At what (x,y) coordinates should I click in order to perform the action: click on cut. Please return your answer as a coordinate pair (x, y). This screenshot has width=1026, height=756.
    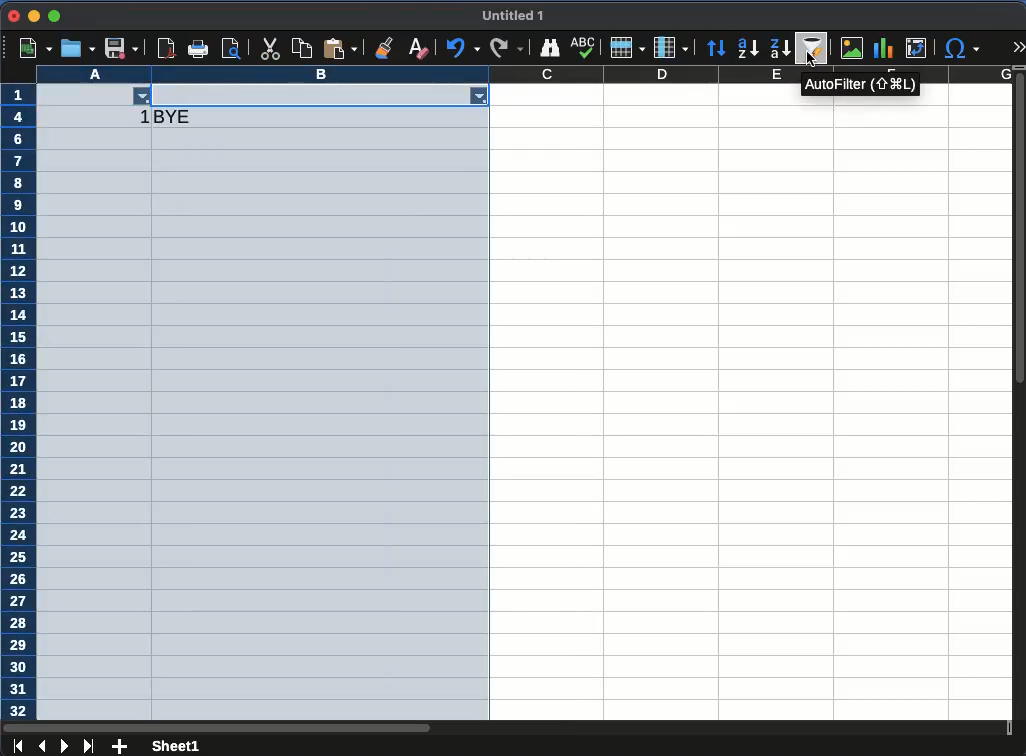
    Looking at the image, I should click on (268, 49).